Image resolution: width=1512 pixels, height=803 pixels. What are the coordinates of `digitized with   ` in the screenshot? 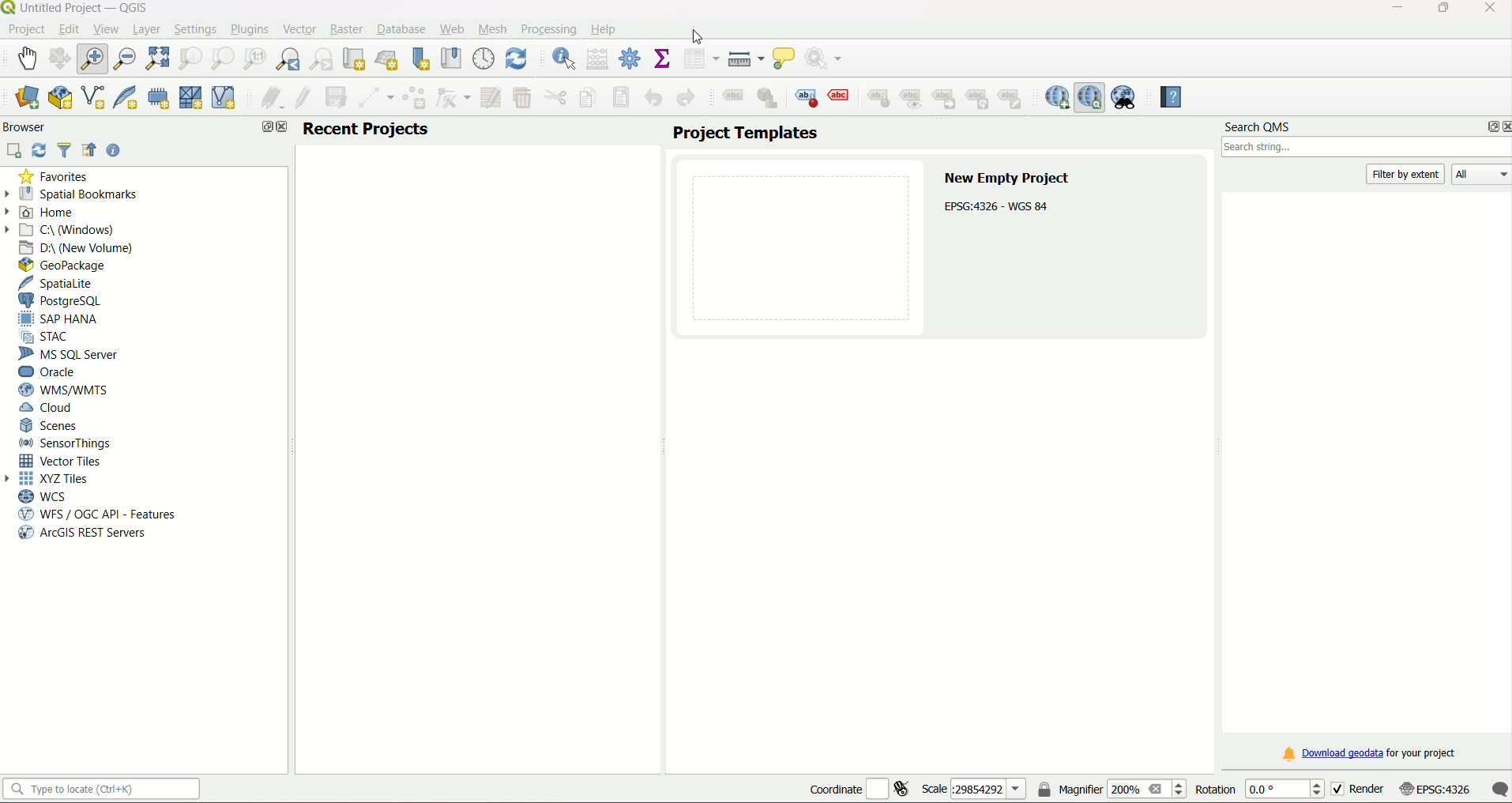 It's located at (377, 99).